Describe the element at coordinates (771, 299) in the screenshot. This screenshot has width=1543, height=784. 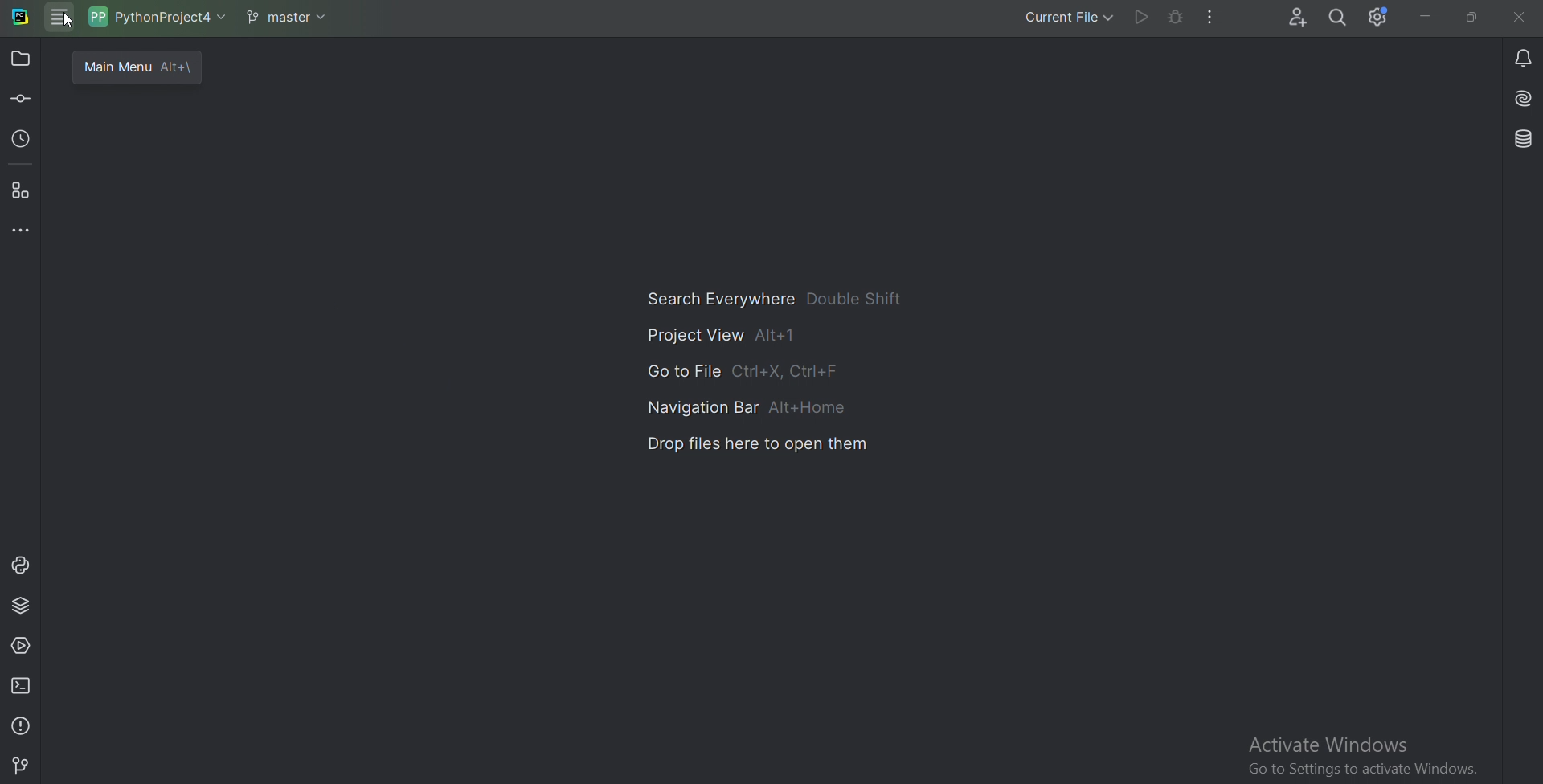
I see `Search Everywhere` at that location.